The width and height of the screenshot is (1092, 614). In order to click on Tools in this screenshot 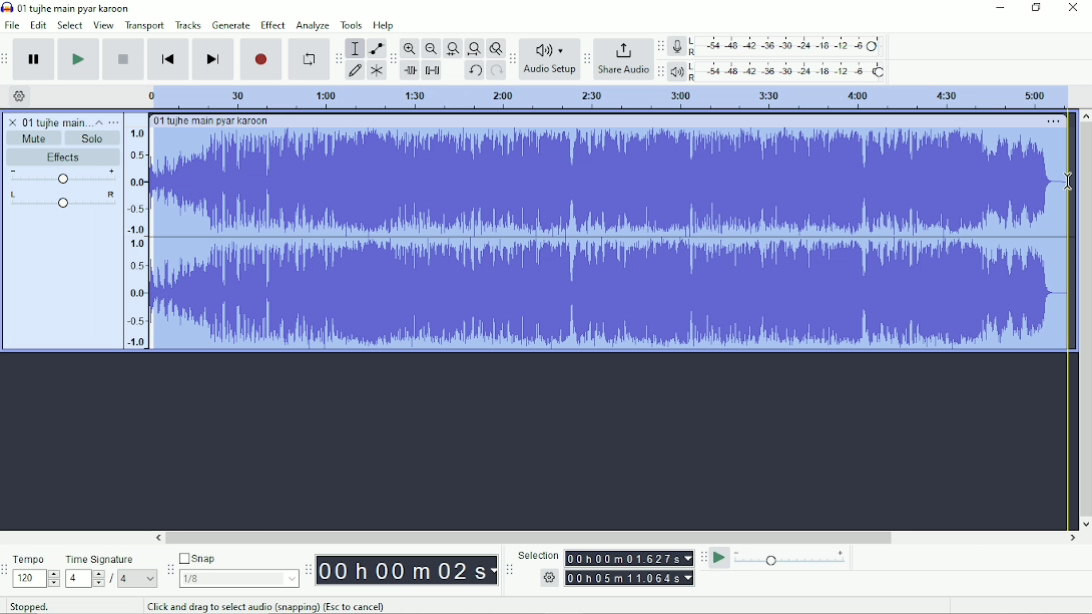, I will do `click(351, 25)`.